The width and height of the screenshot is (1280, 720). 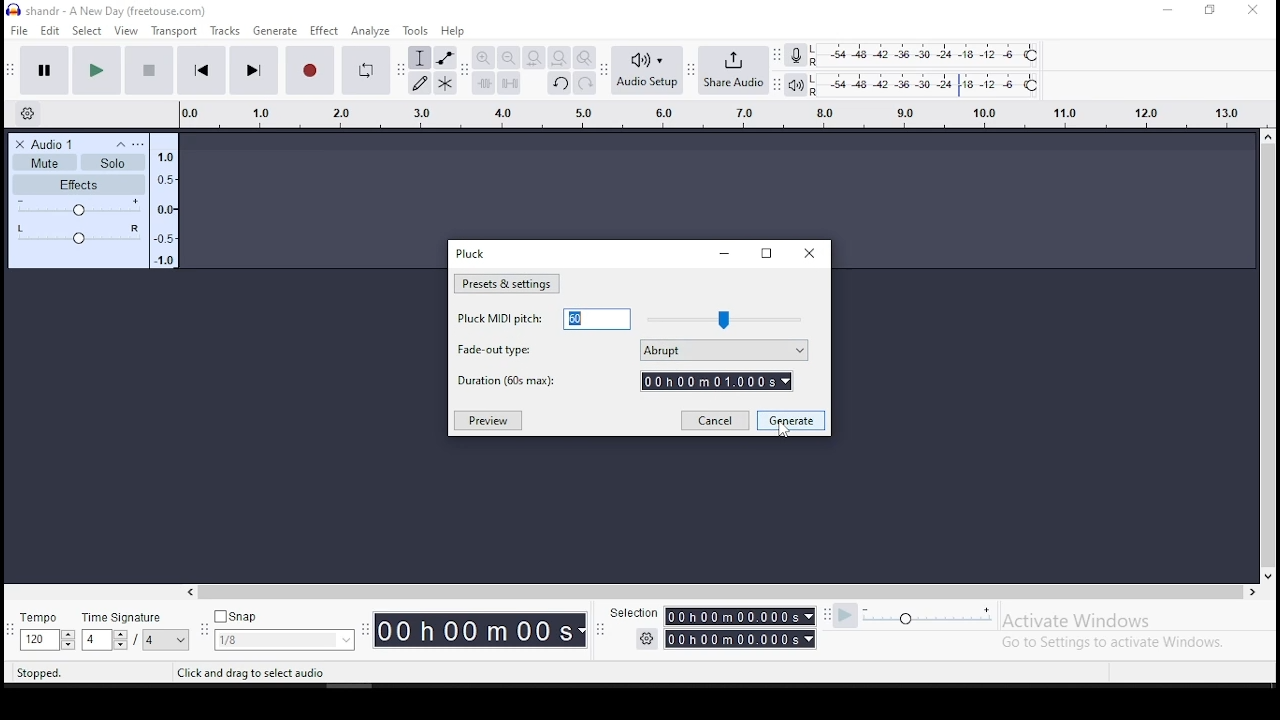 I want to click on delete track, so click(x=18, y=144).